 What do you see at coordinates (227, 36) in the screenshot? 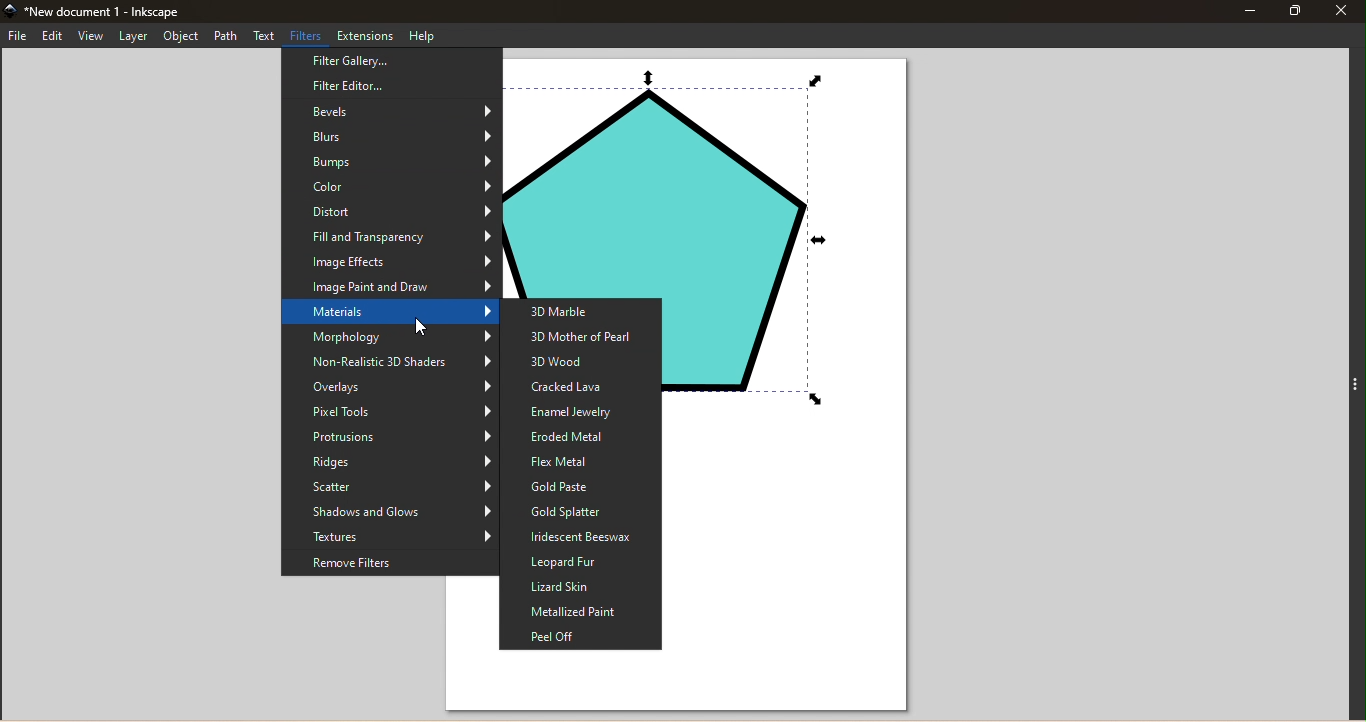
I see `Path` at bounding box center [227, 36].